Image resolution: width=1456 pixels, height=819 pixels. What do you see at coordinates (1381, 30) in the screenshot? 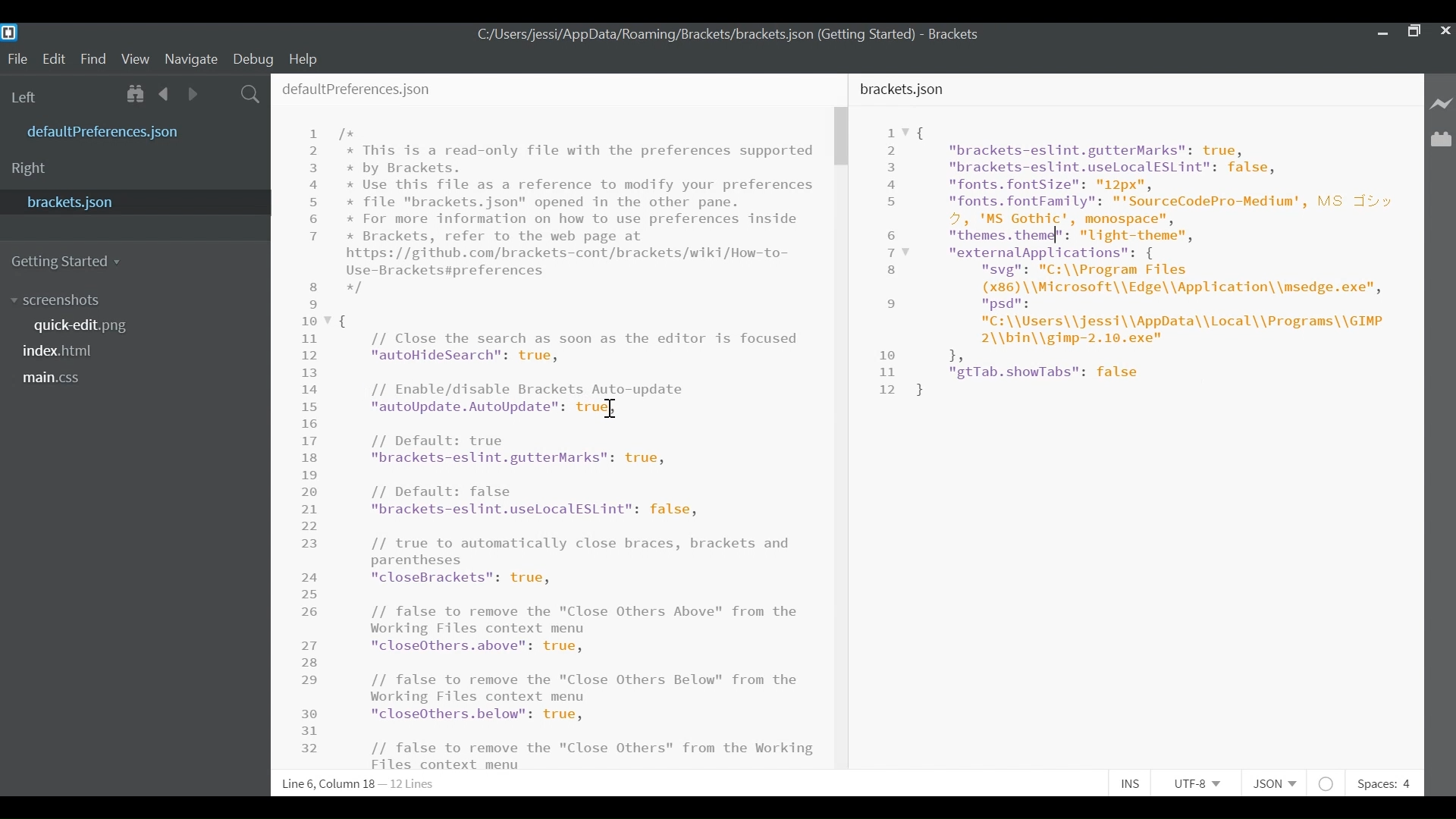
I see `minimize` at bounding box center [1381, 30].